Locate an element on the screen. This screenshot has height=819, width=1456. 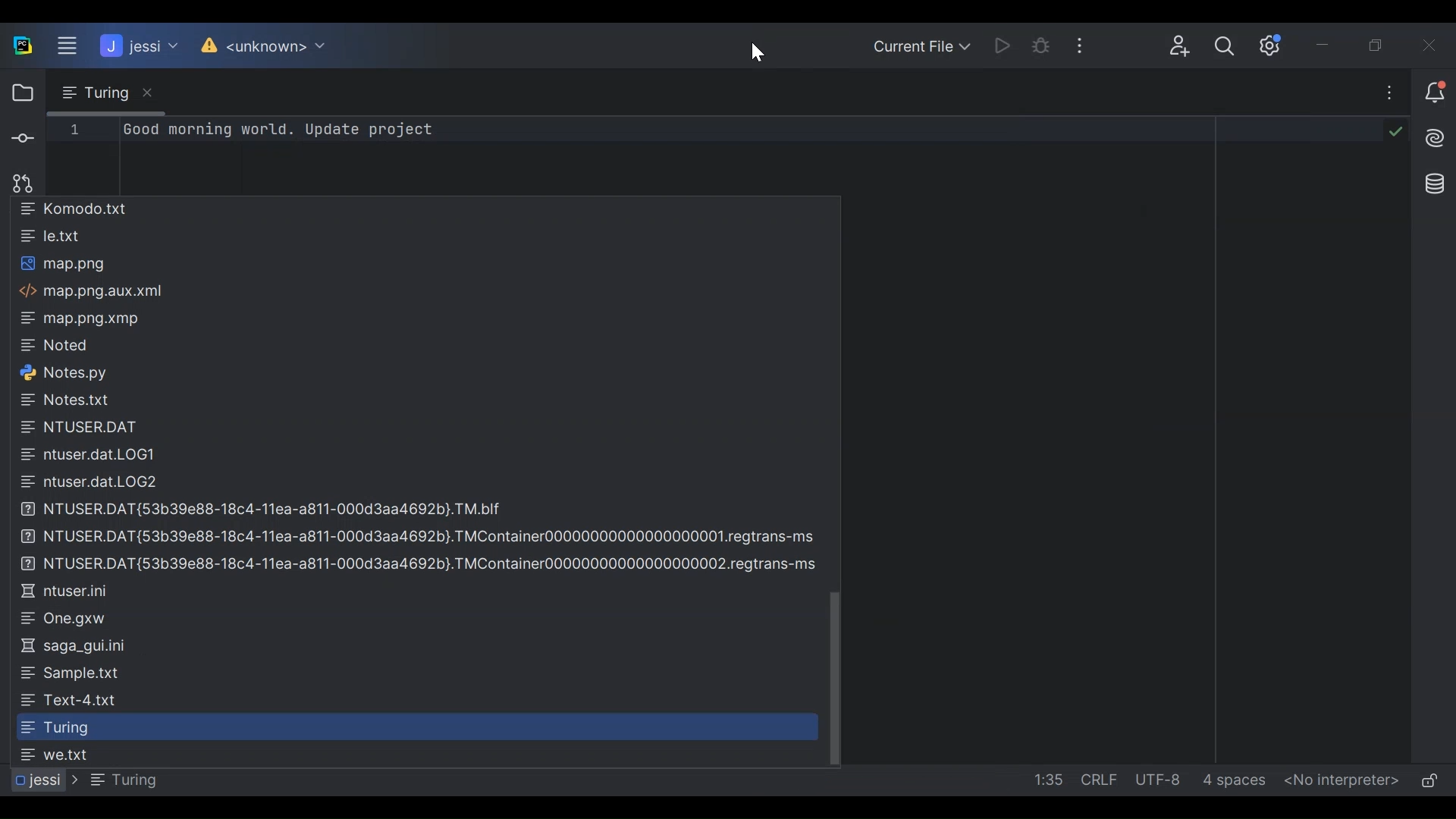
saga_gui.ini is located at coordinates (77, 647).